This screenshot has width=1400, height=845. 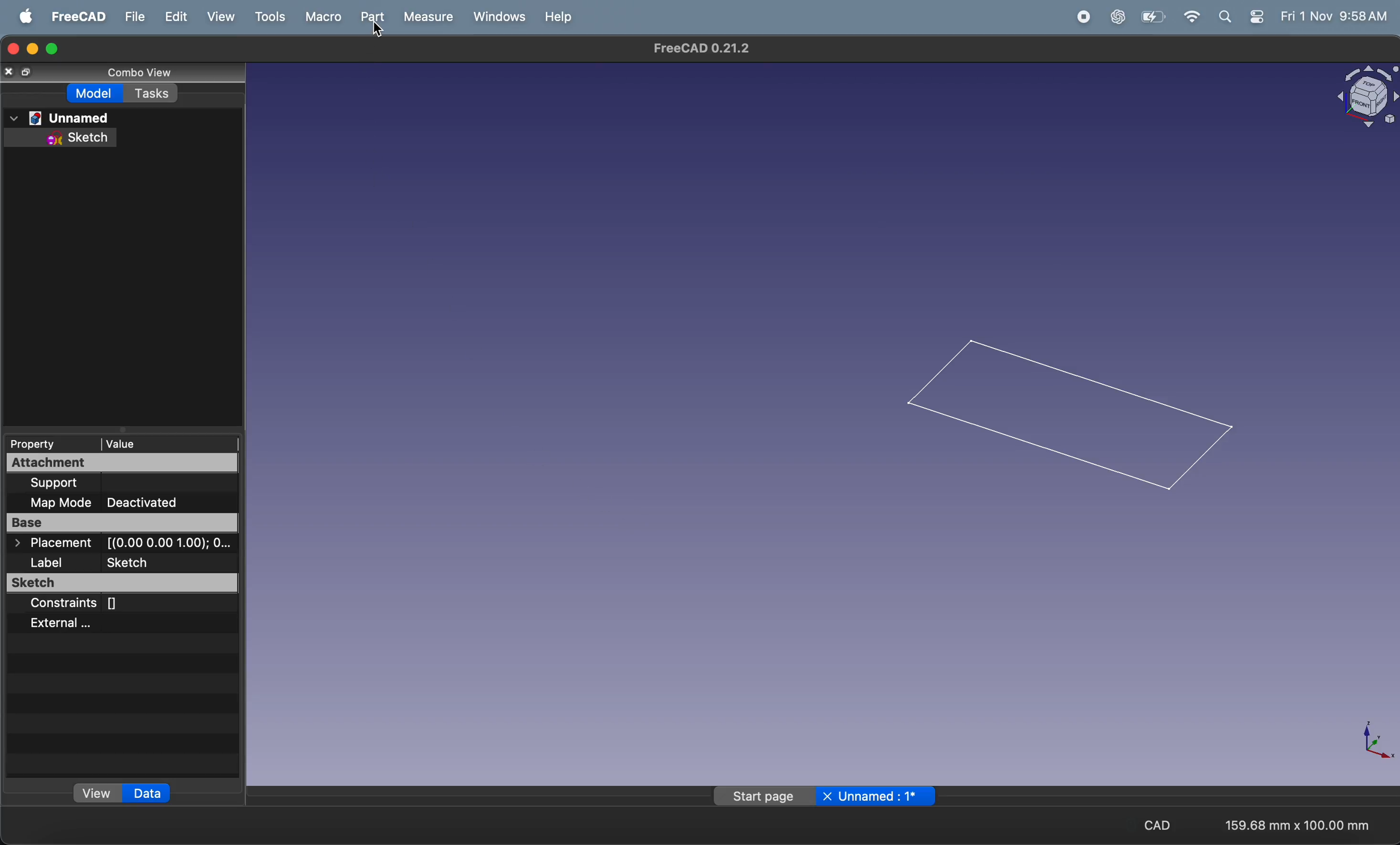 What do you see at coordinates (123, 502) in the screenshot?
I see `map mode deactivated` at bounding box center [123, 502].